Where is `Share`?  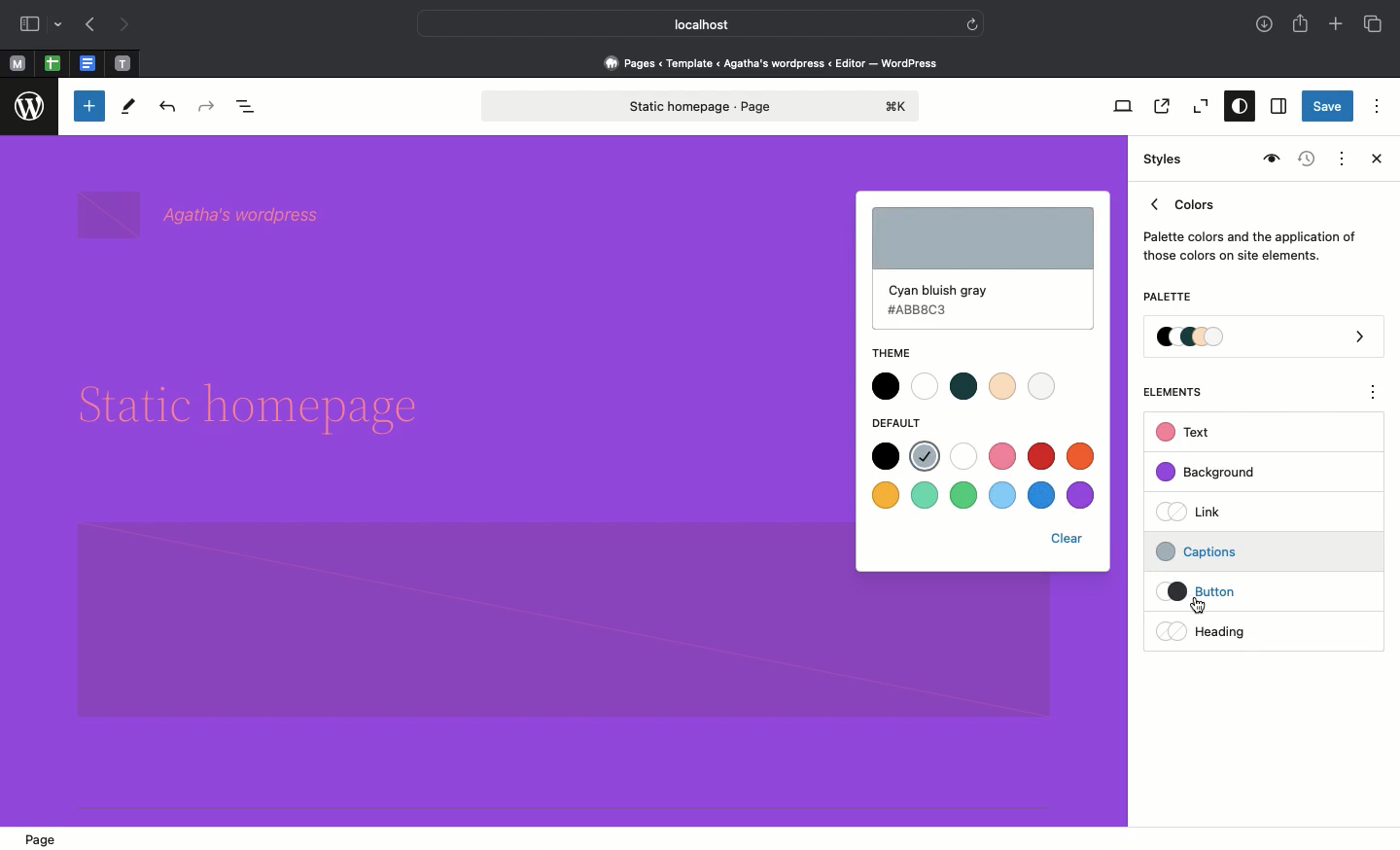 Share is located at coordinates (1302, 23).